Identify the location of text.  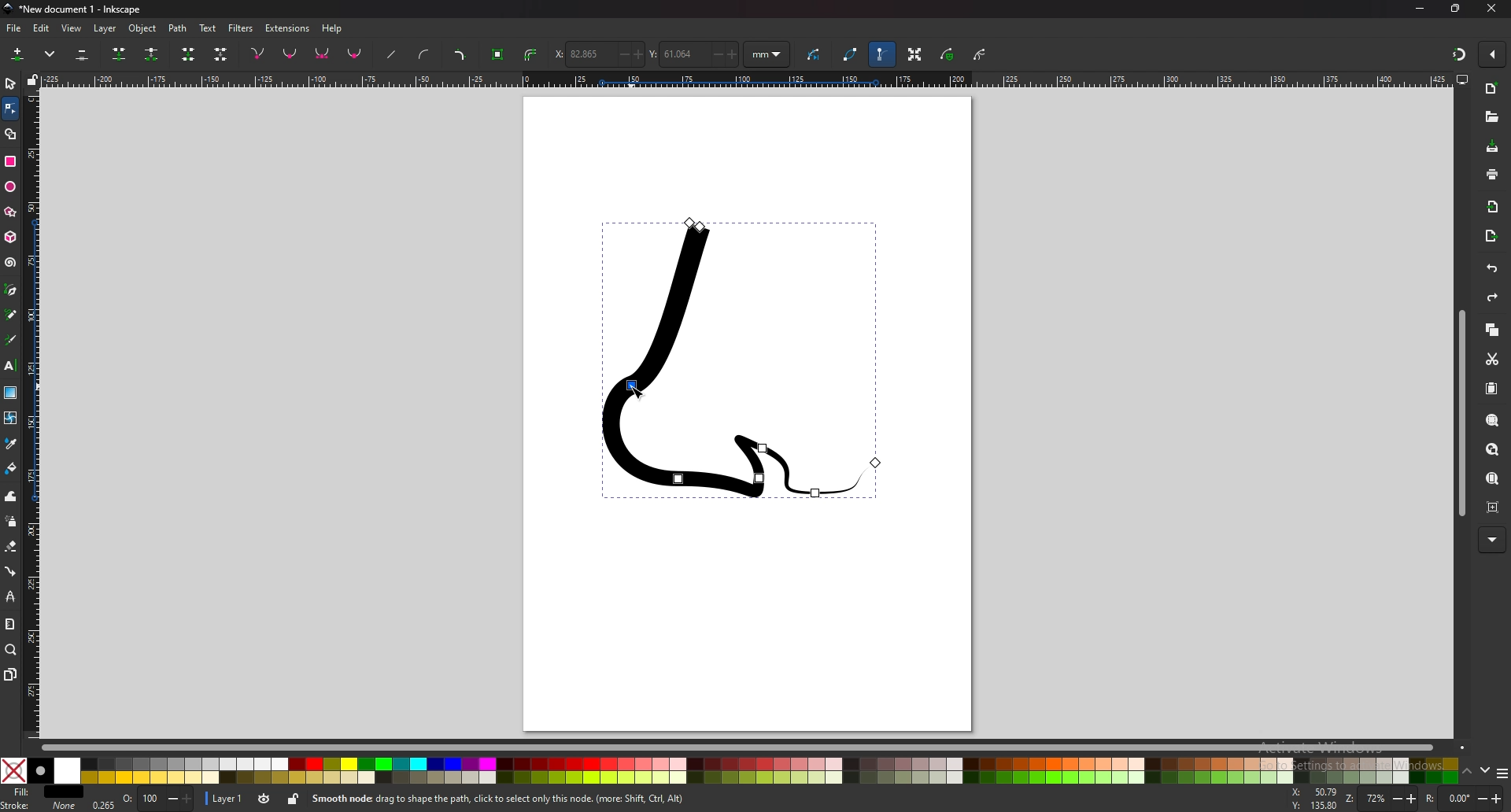
(208, 28).